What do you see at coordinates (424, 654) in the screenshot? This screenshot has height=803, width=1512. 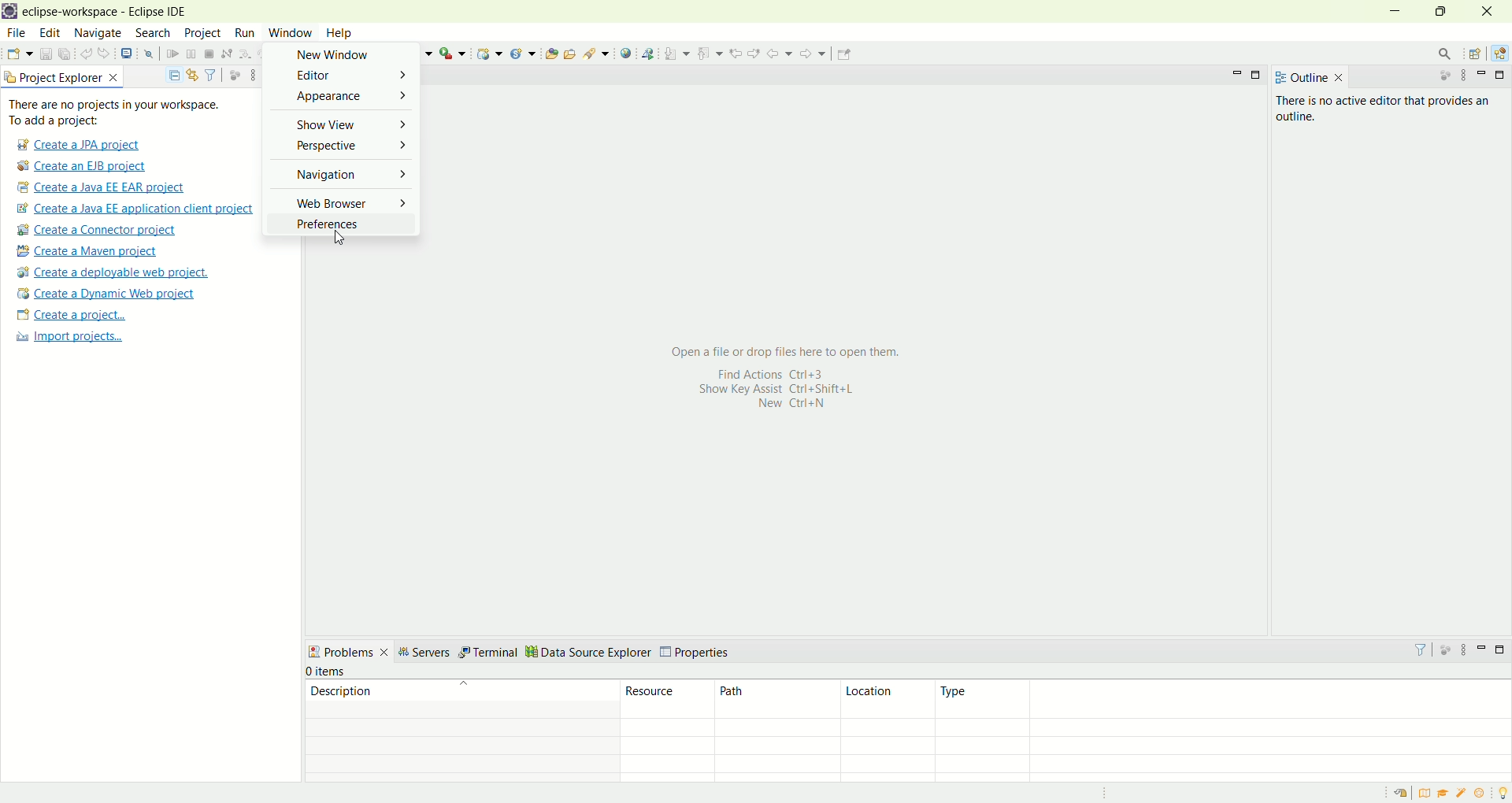 I see `servers` at bounding box center [424, 654].